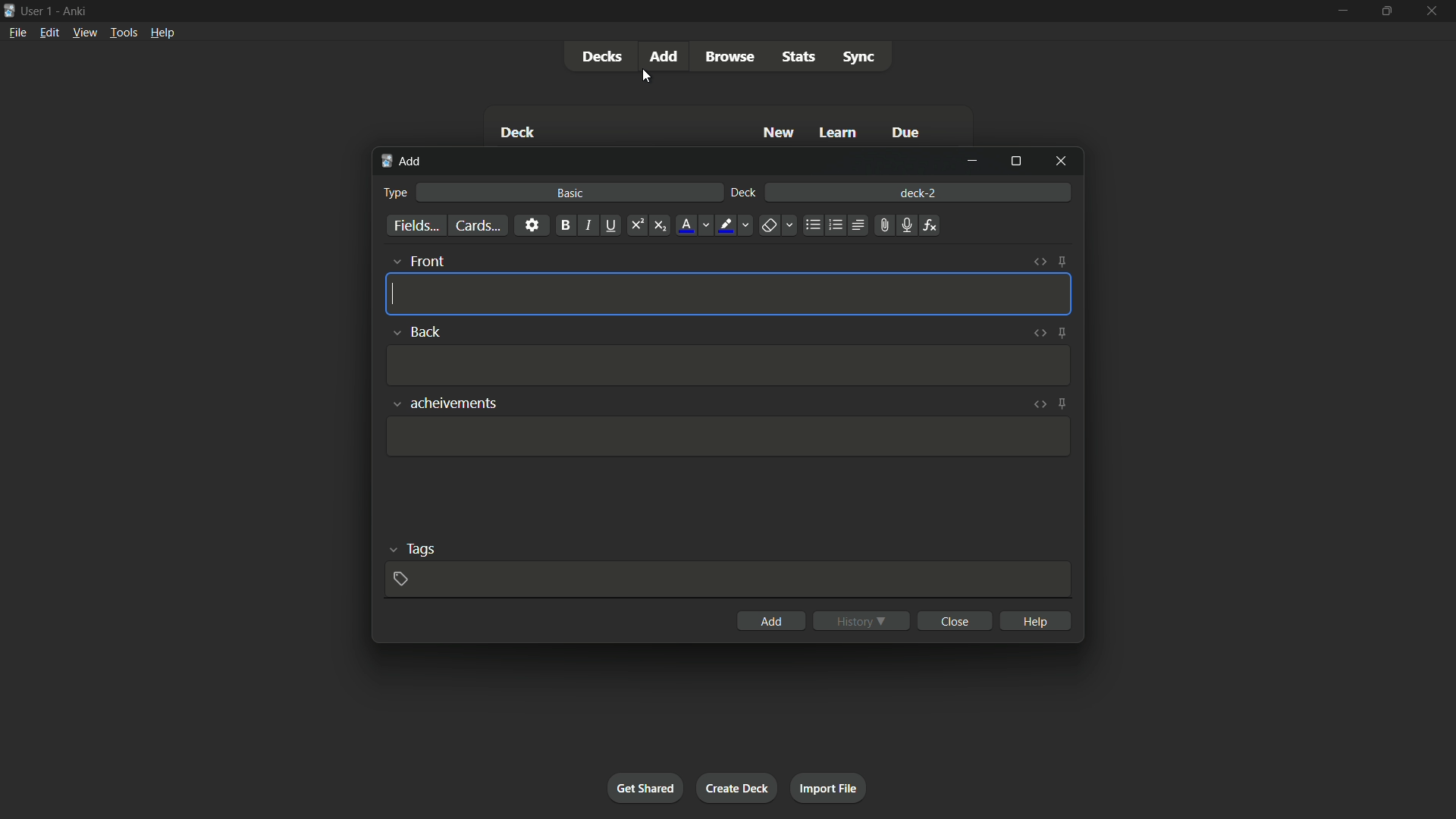 This screenshot has width=1456, height=819. I want to click on Learn, so click(839, 133).